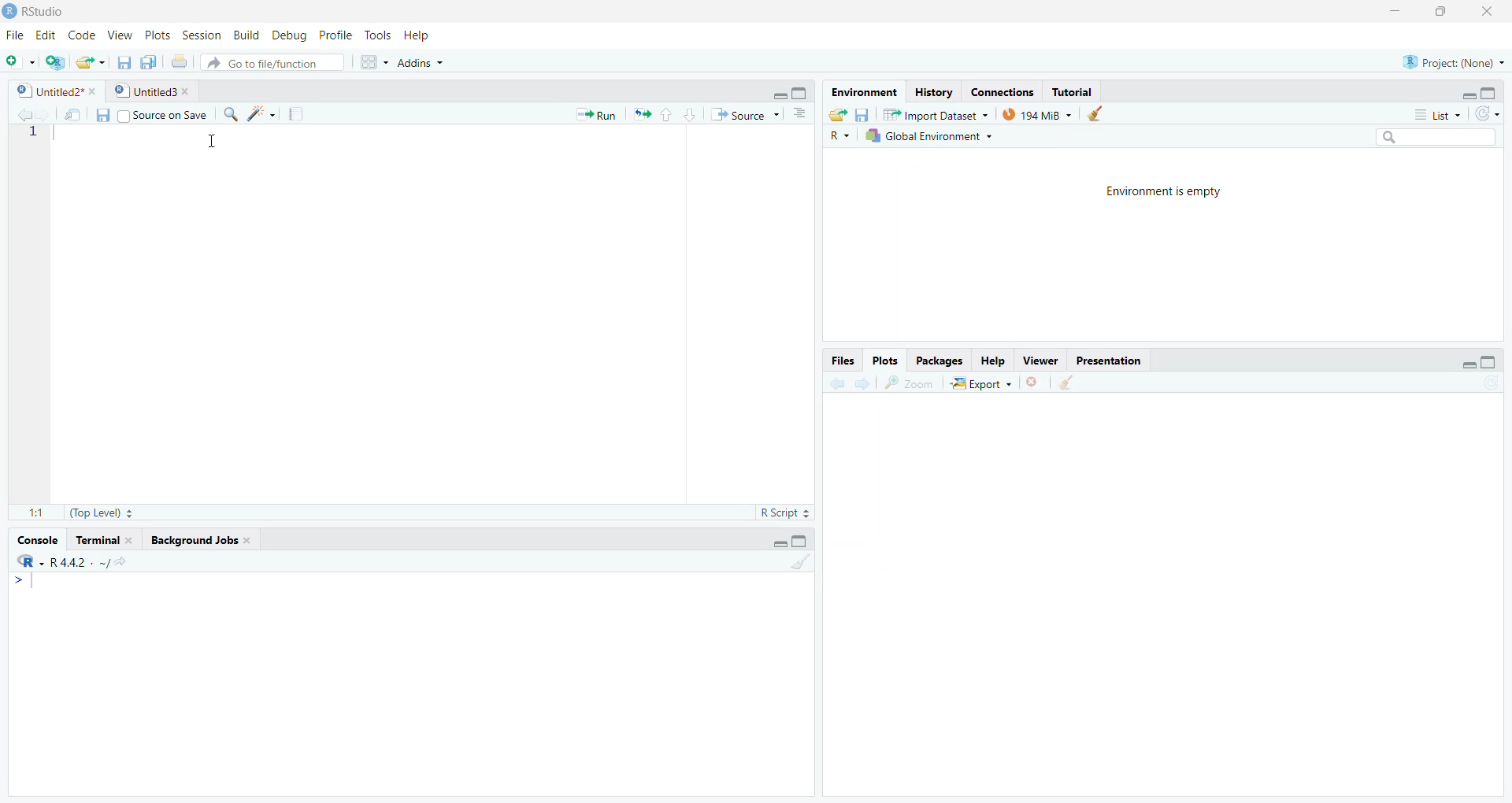 This screenshot has width=1512, height=803. What do you see at coordinates (155, 36) in the screenshot?
I see `Plots` at bounding box center [155, 36].